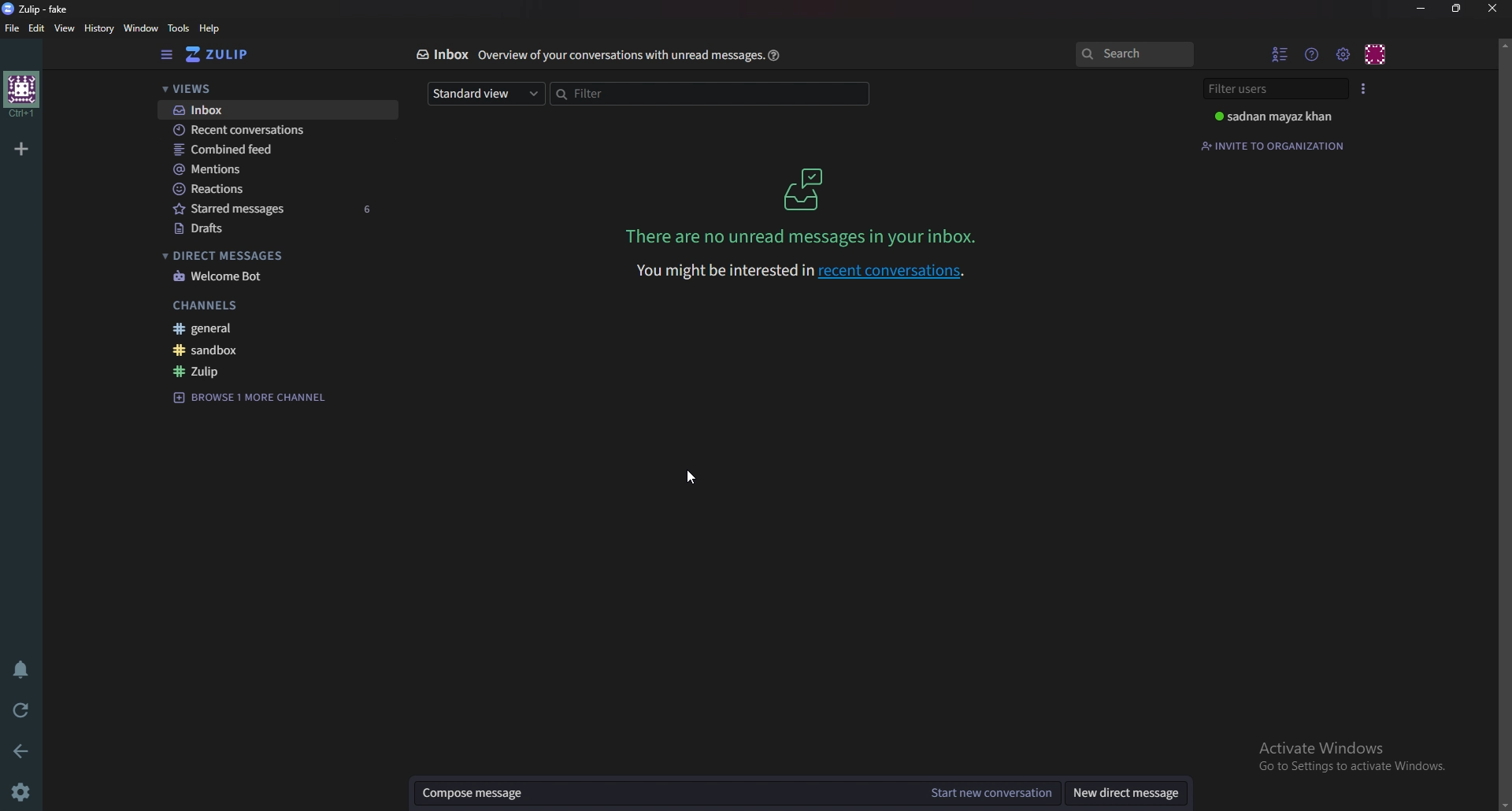 This screenshot has height=811, width=1512. Describe the element at coordinates (262, 254) in the screenshot. I see `Direct messages` at that location.